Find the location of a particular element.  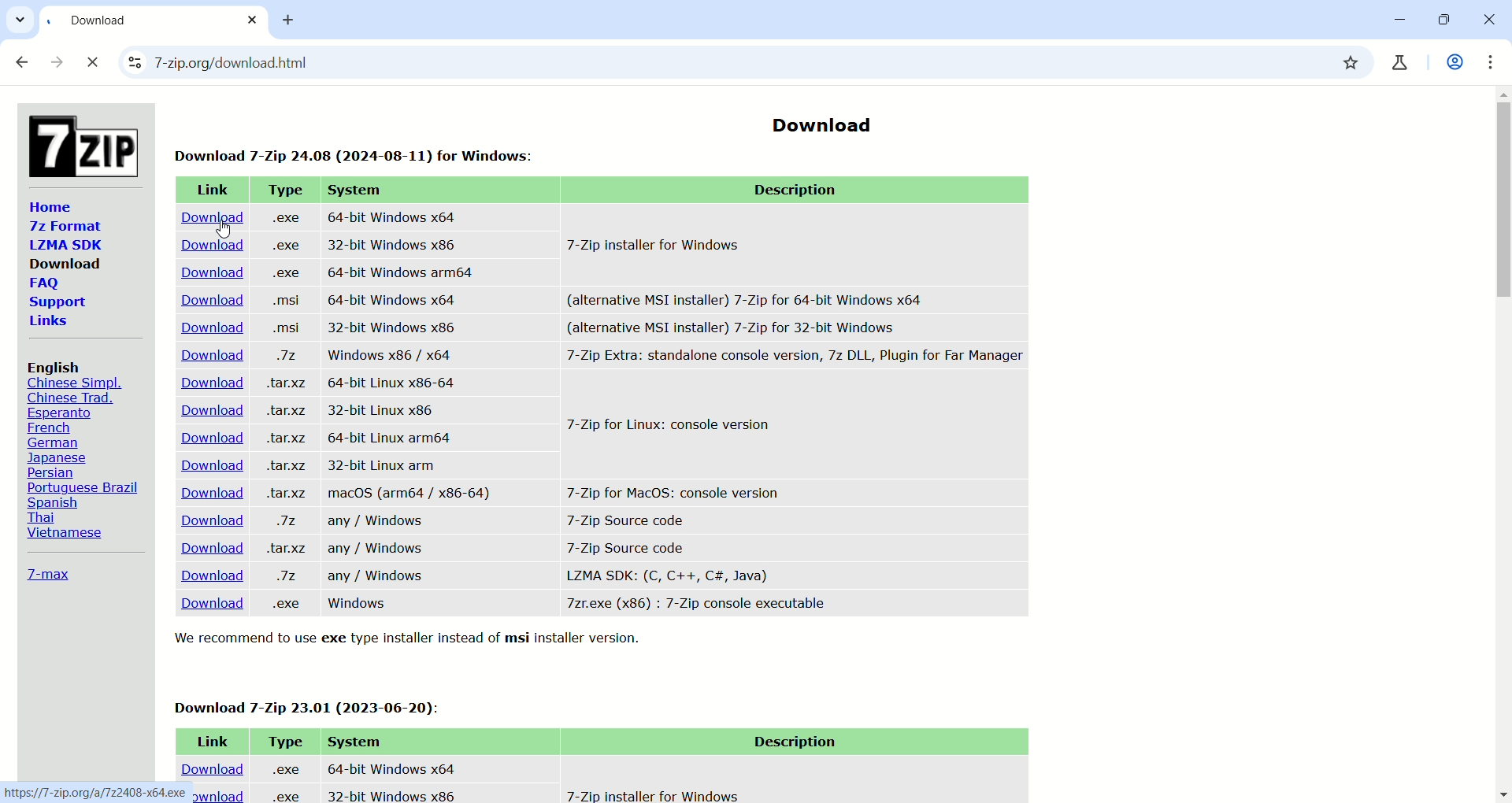

Windows is located at coordinates (360, 605).